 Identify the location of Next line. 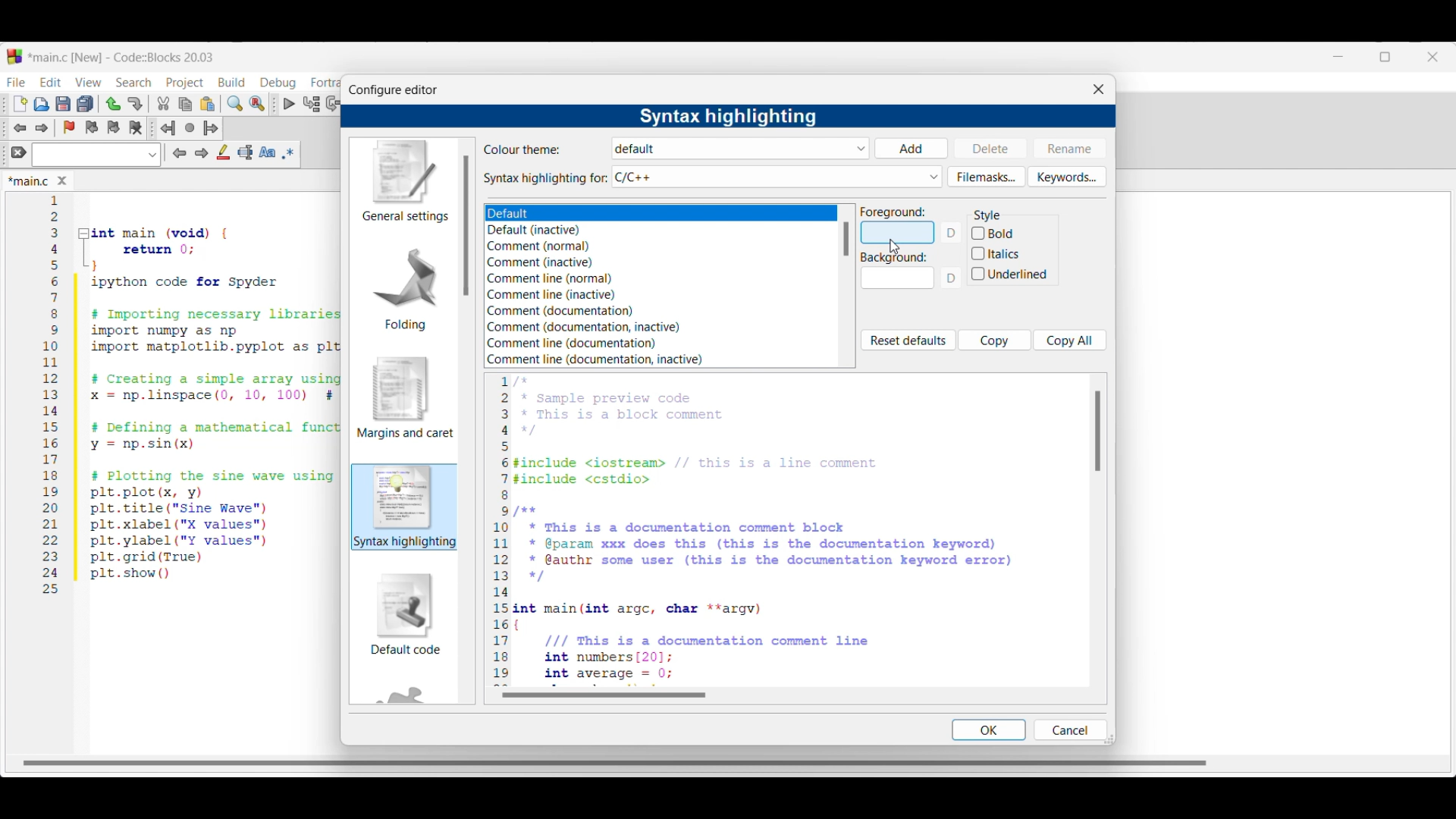
(334, 104).